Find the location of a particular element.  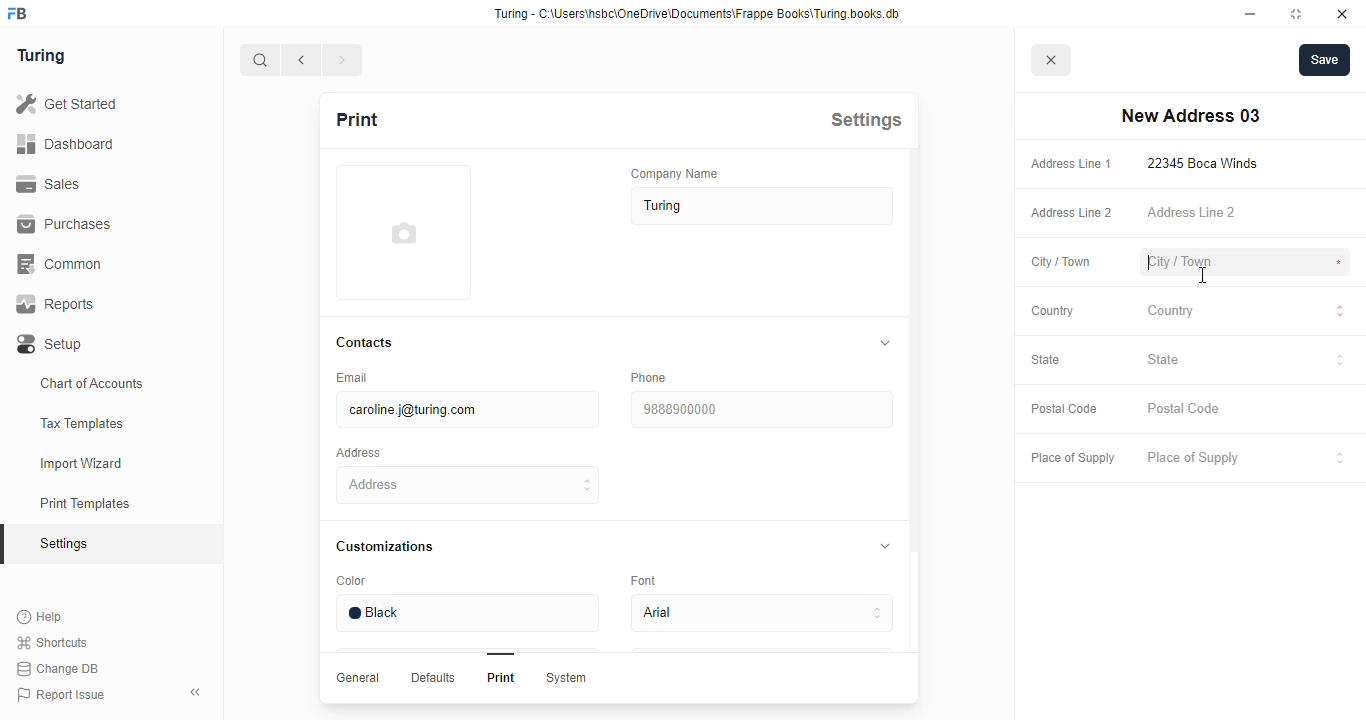

company name is located at coordinates (675, 173).